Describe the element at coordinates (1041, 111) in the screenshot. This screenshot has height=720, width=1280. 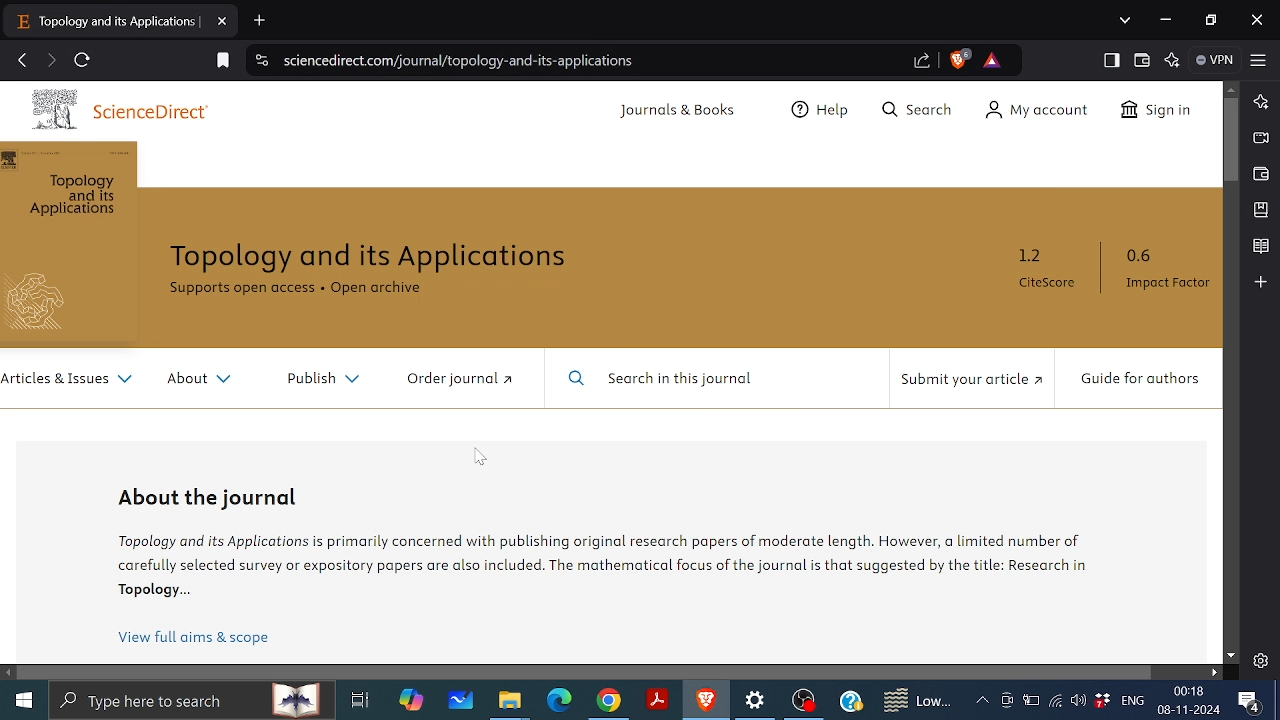
I see `My account` at that location.